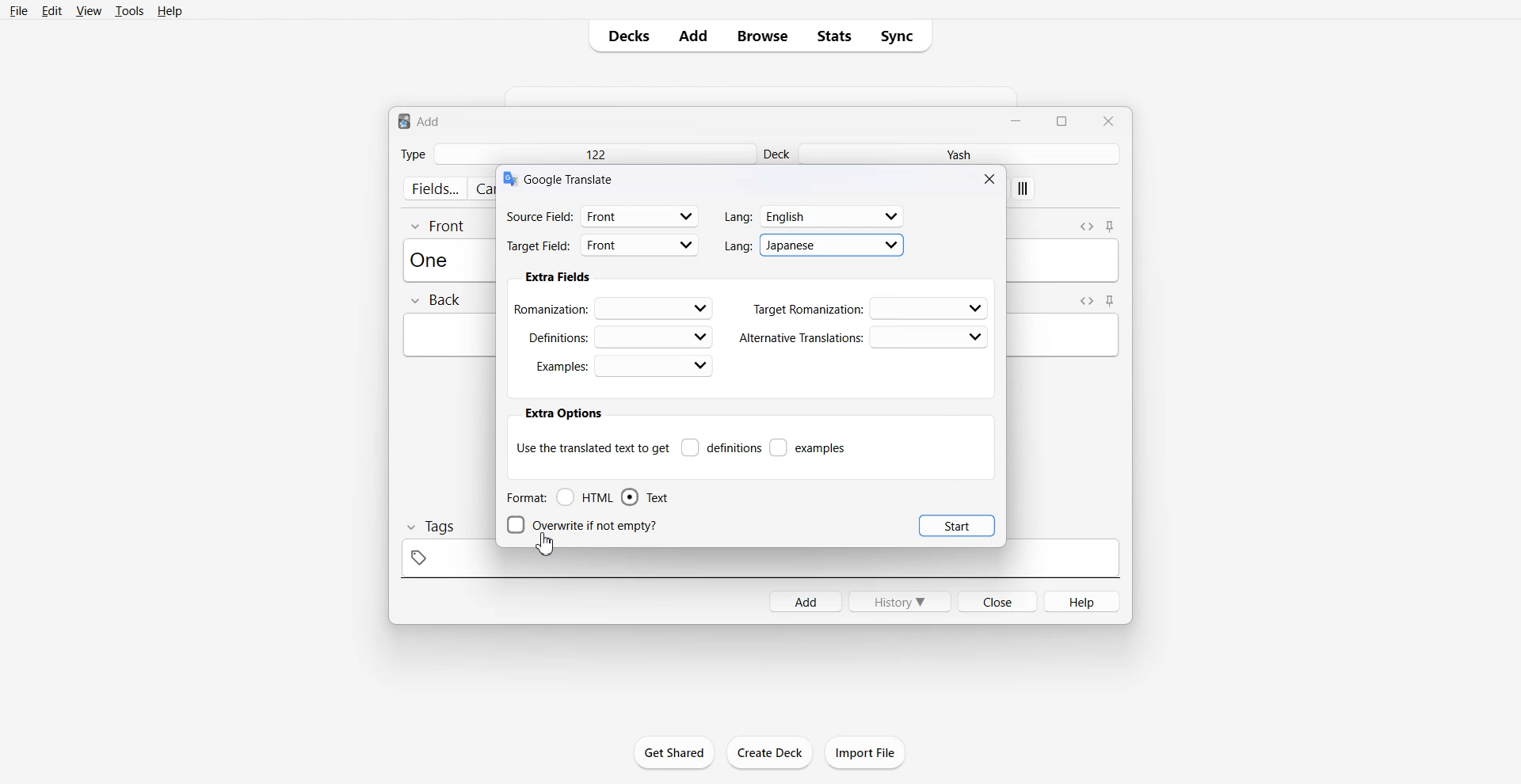 Image resolution: width=1521 pixels, height=784 pixels. What do you see at coordinates (51, 10) in the screenshot?
I see `Edit` at bounding box center [51, 10].